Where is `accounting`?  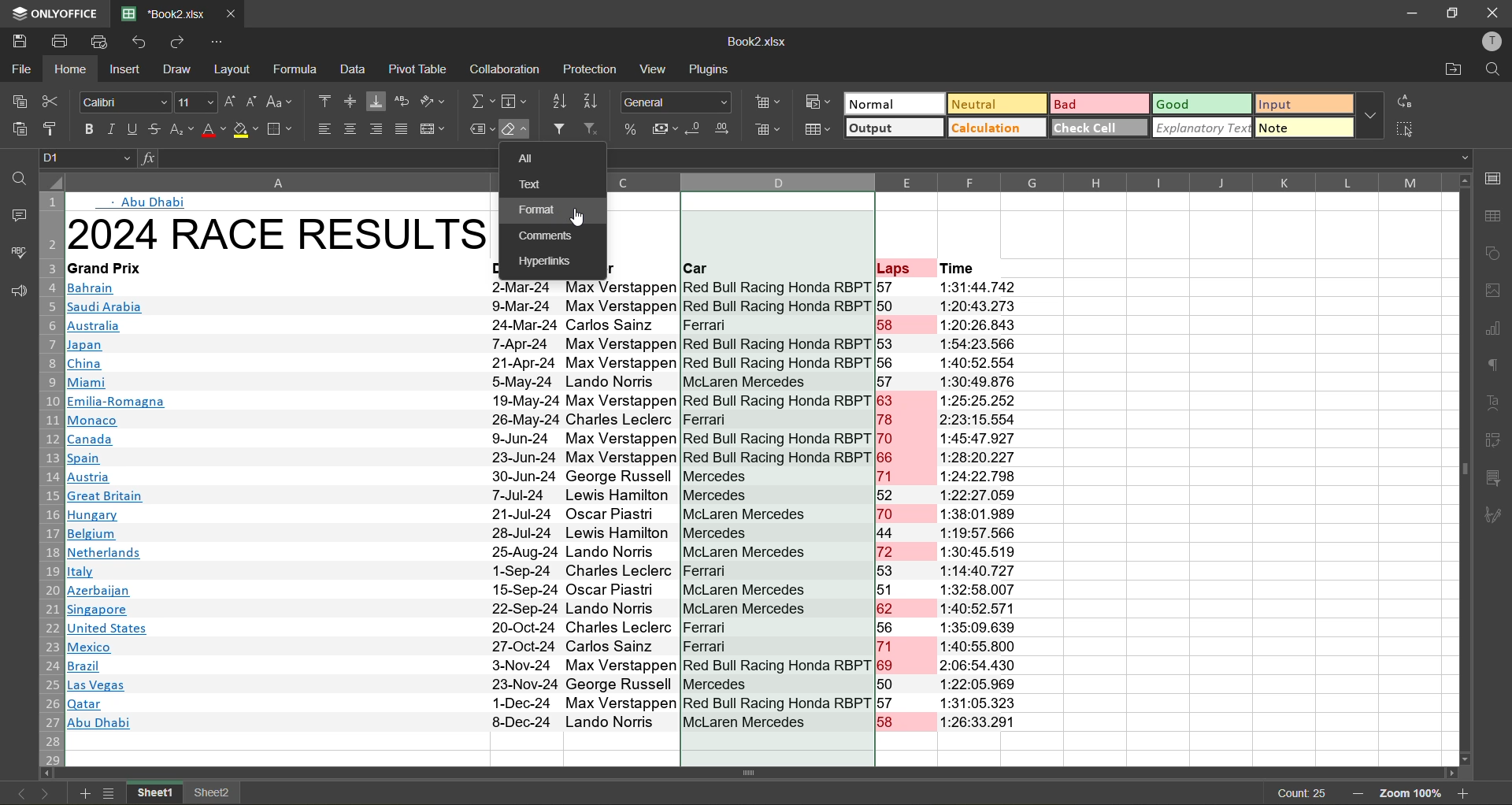 accounting is located at coordinates (666, 128).